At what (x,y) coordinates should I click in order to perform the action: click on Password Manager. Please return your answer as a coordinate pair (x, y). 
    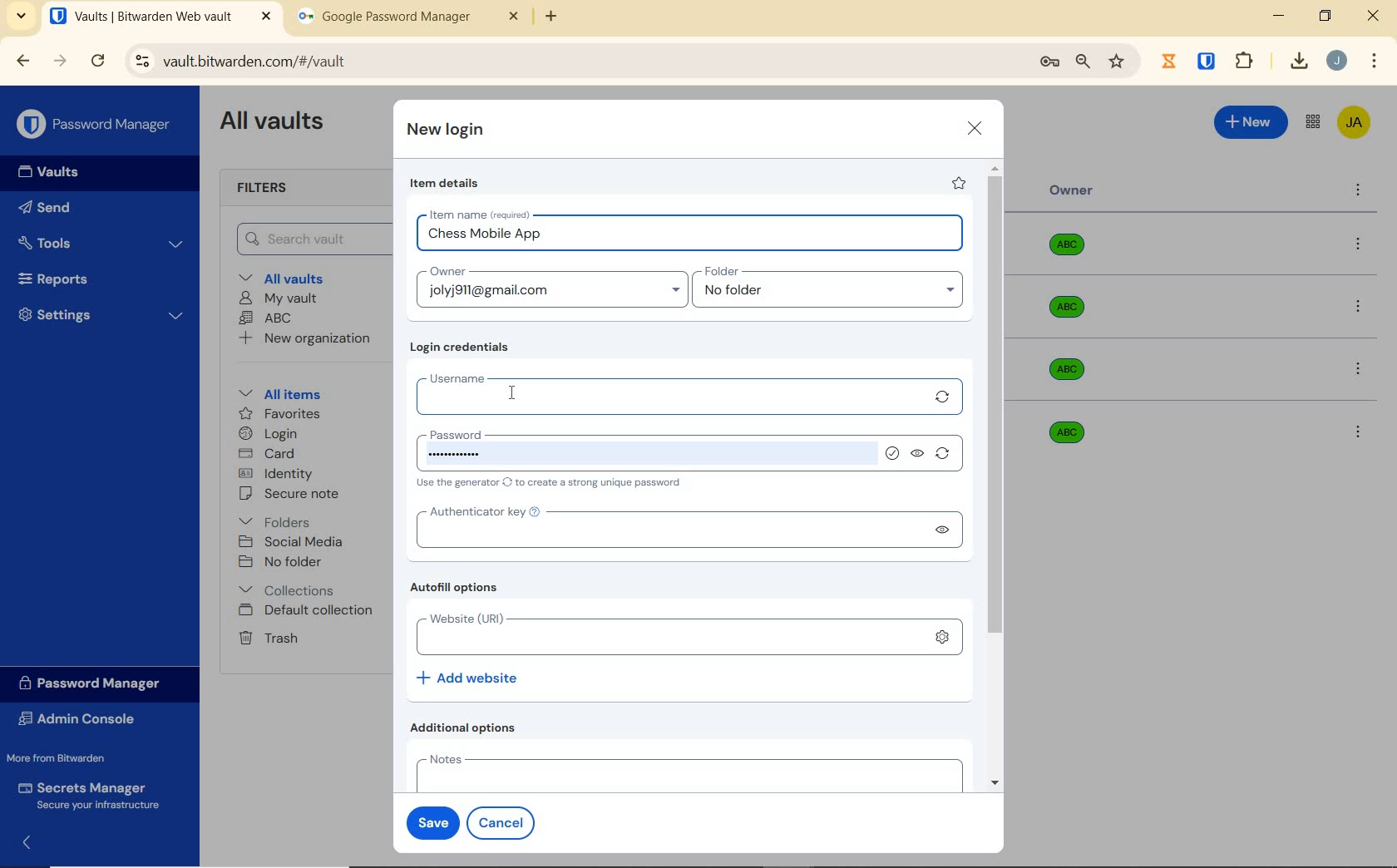
    Looking at the image, I should click on (96, 126).